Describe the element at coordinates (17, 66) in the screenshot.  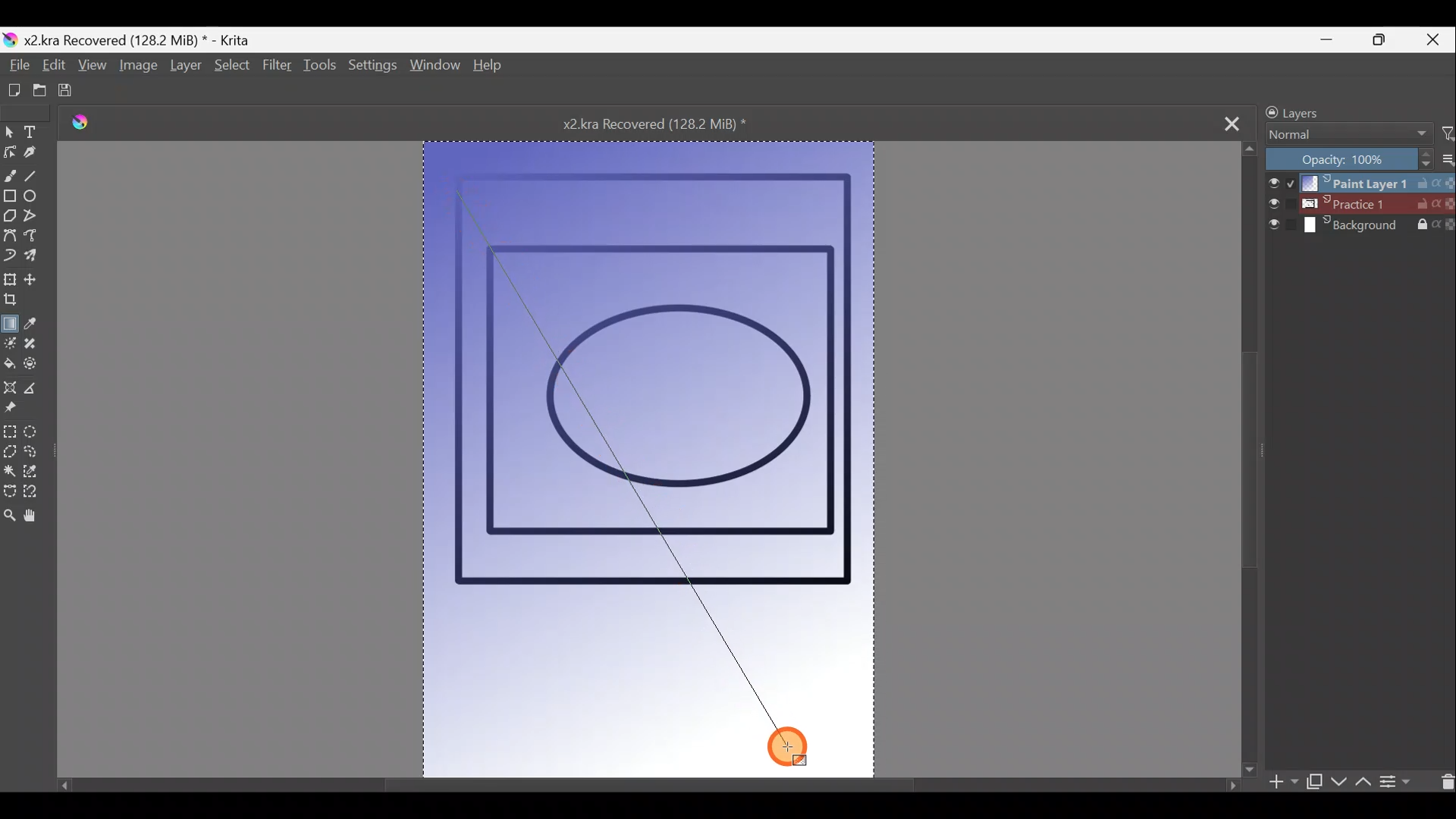
I see `File` at that location.